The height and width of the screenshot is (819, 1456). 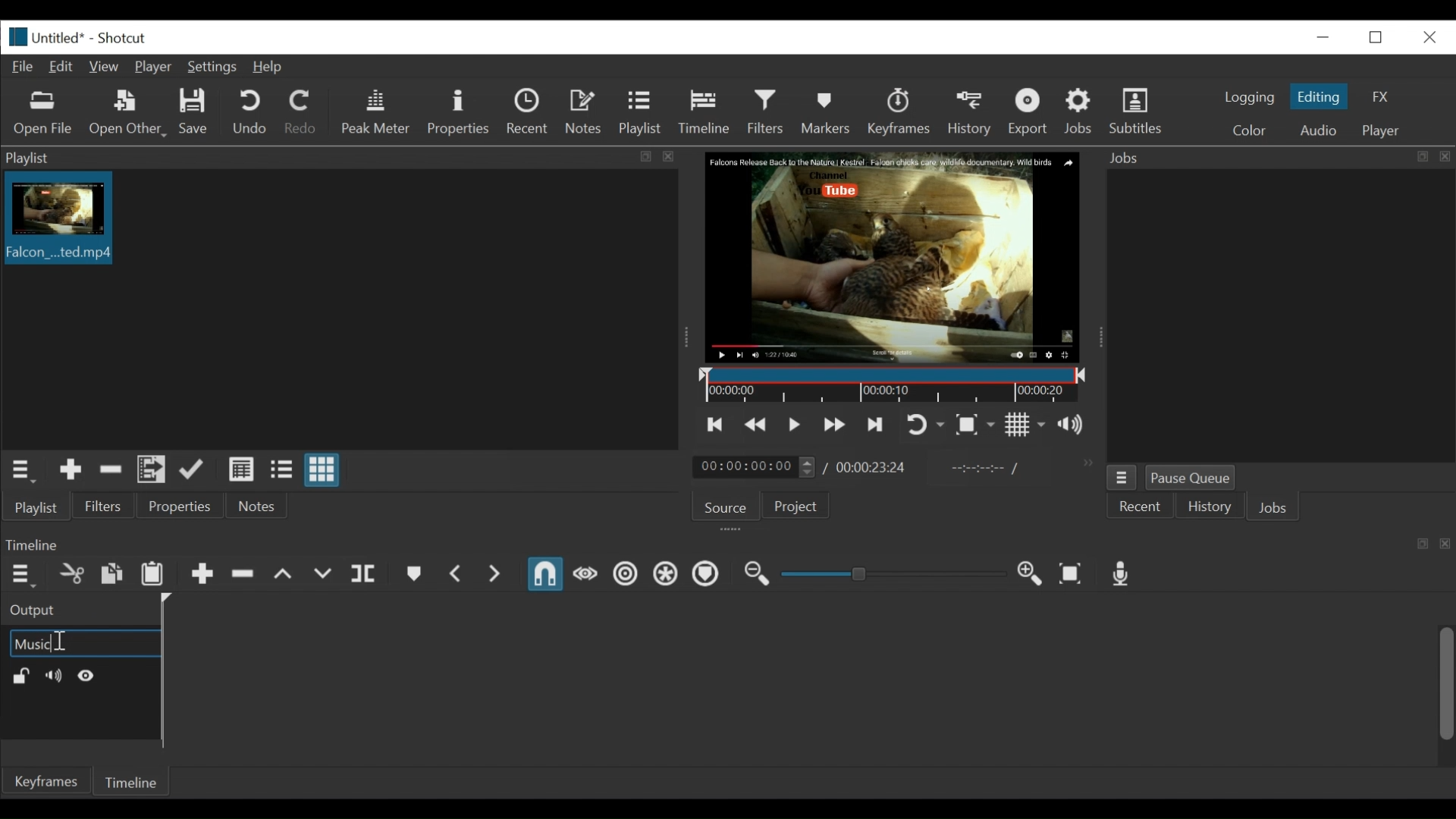 What do you see at coordinates (529, 113) in the screenshot?
I see `Recent` at bounding box center [529, 113].